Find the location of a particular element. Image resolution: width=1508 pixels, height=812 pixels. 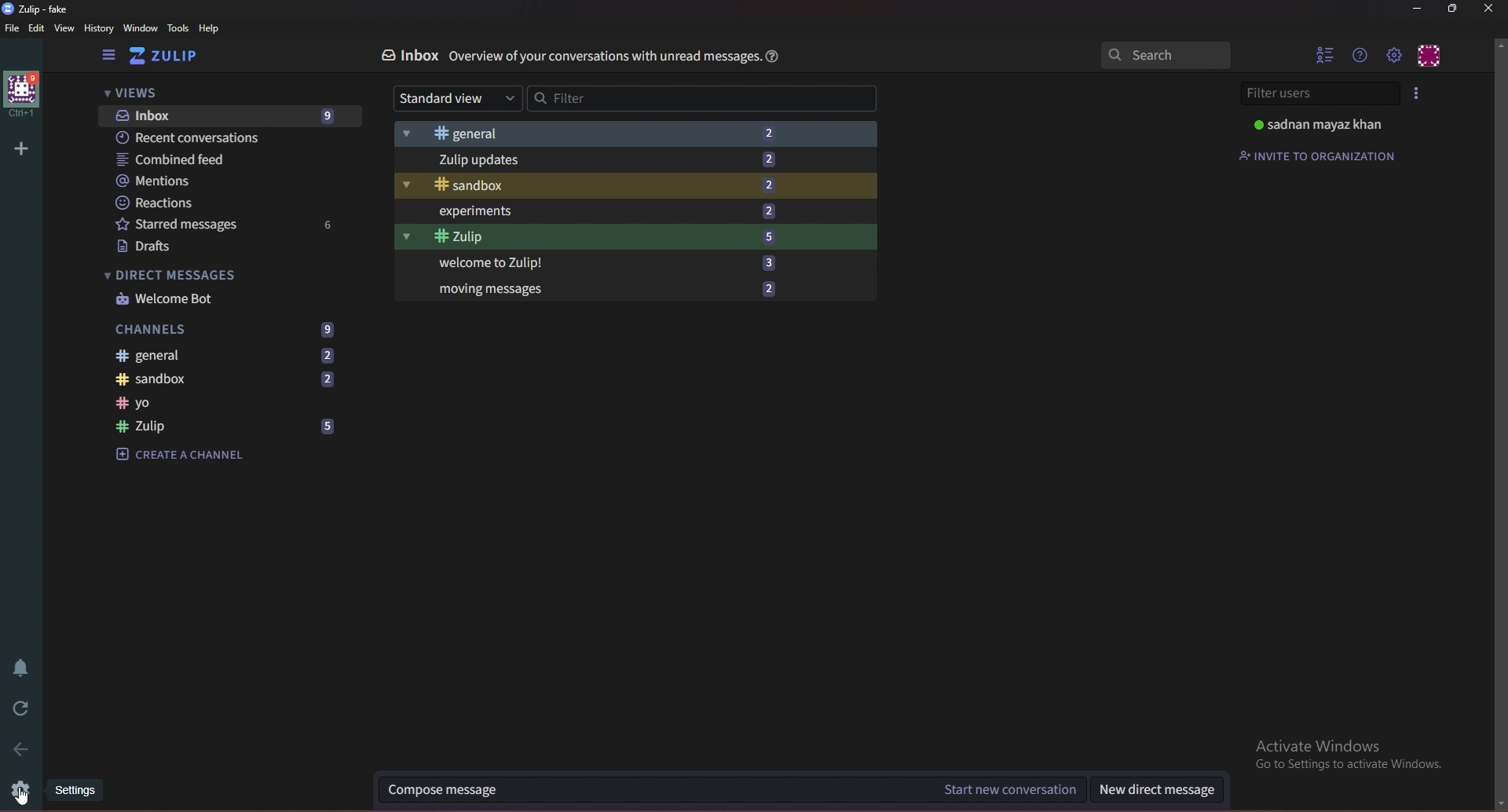

Enable do not disturb is located at coordinates (21, 669).